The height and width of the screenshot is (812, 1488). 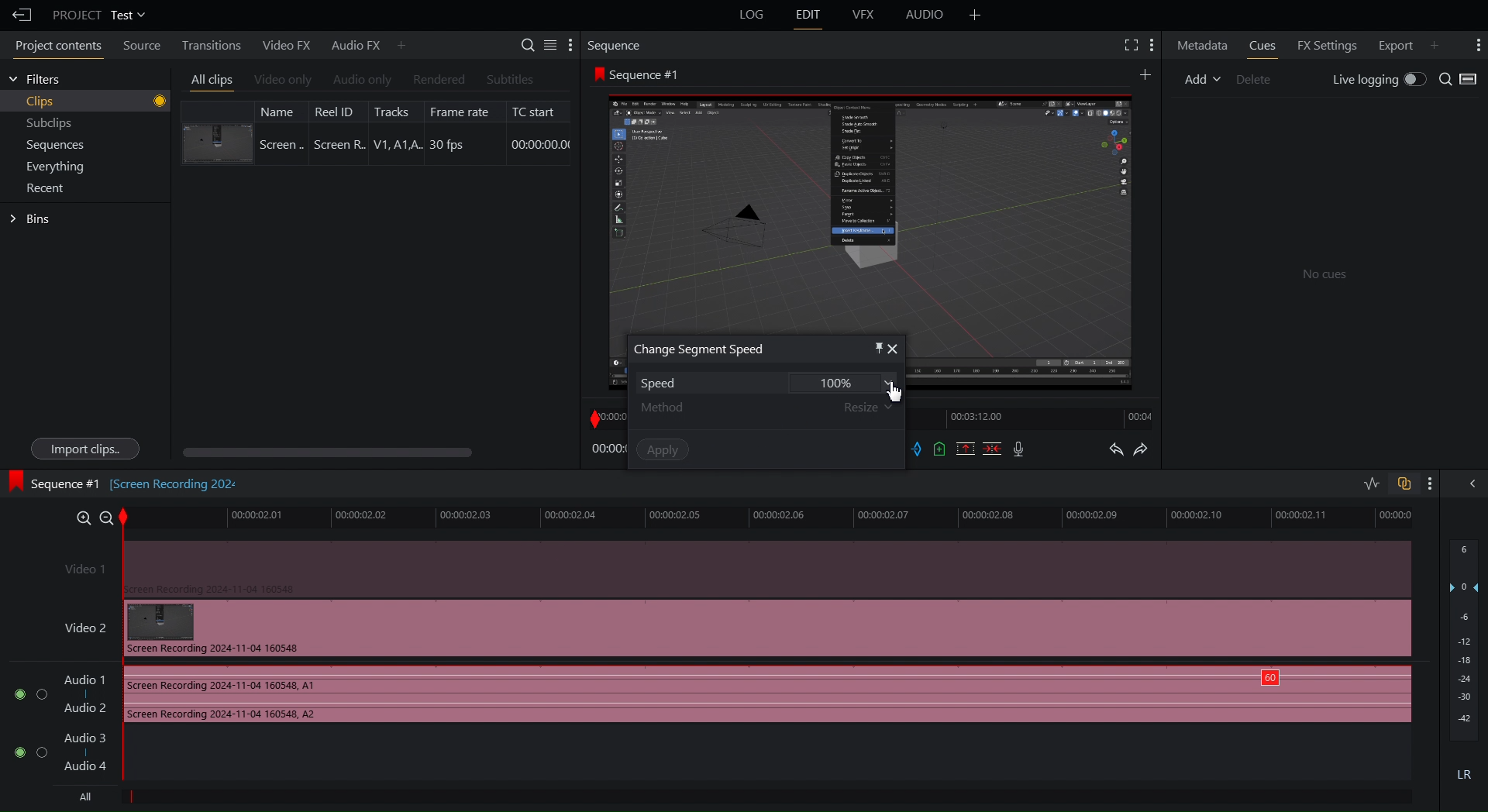 What do you see at coordinates (126, 481) in the screenshot?
I see `Sequence #1 [Screen Recording 202` at bounding box center [126, 481].